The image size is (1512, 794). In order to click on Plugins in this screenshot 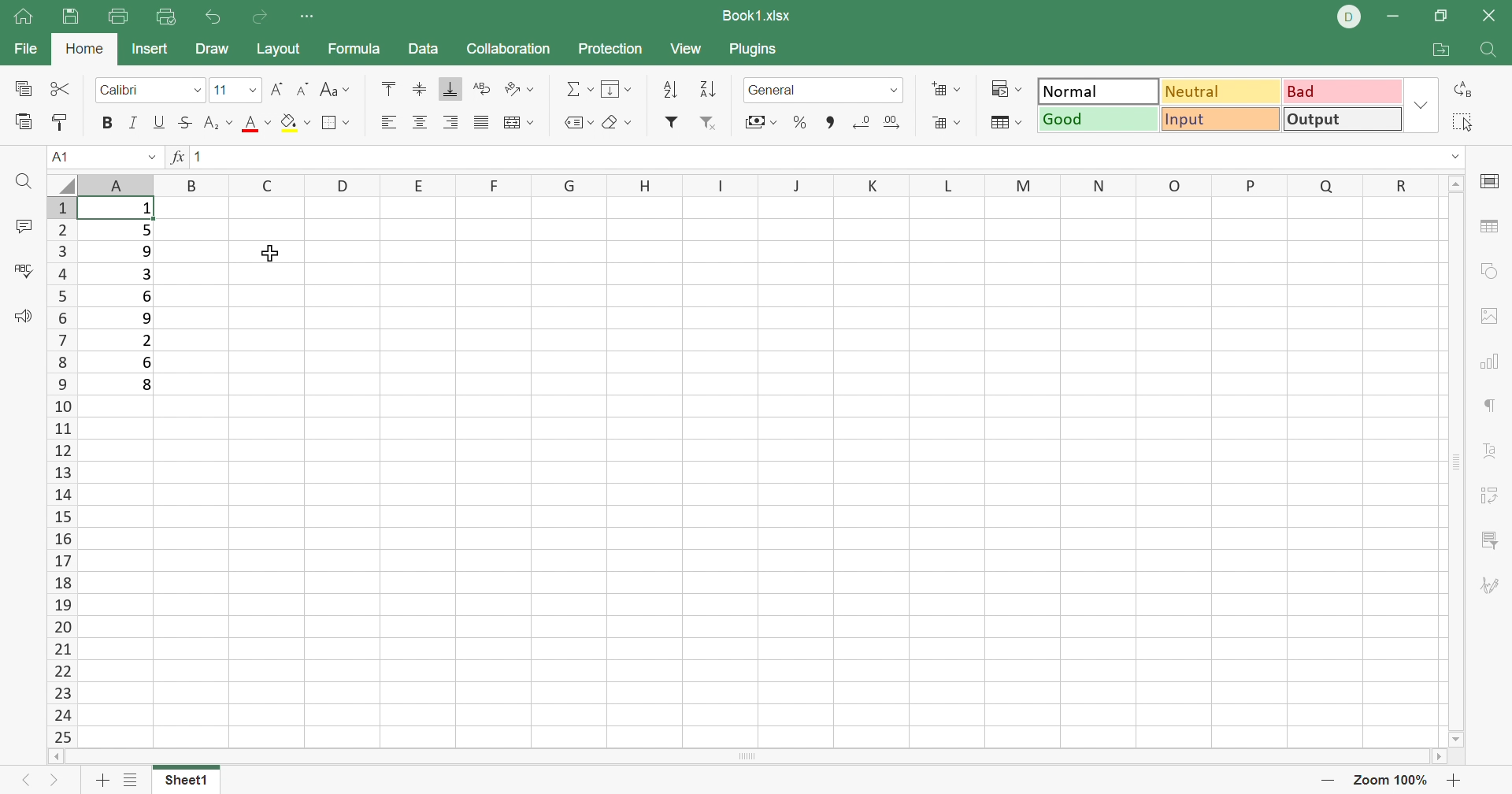, I will do `click(754, 50)`.